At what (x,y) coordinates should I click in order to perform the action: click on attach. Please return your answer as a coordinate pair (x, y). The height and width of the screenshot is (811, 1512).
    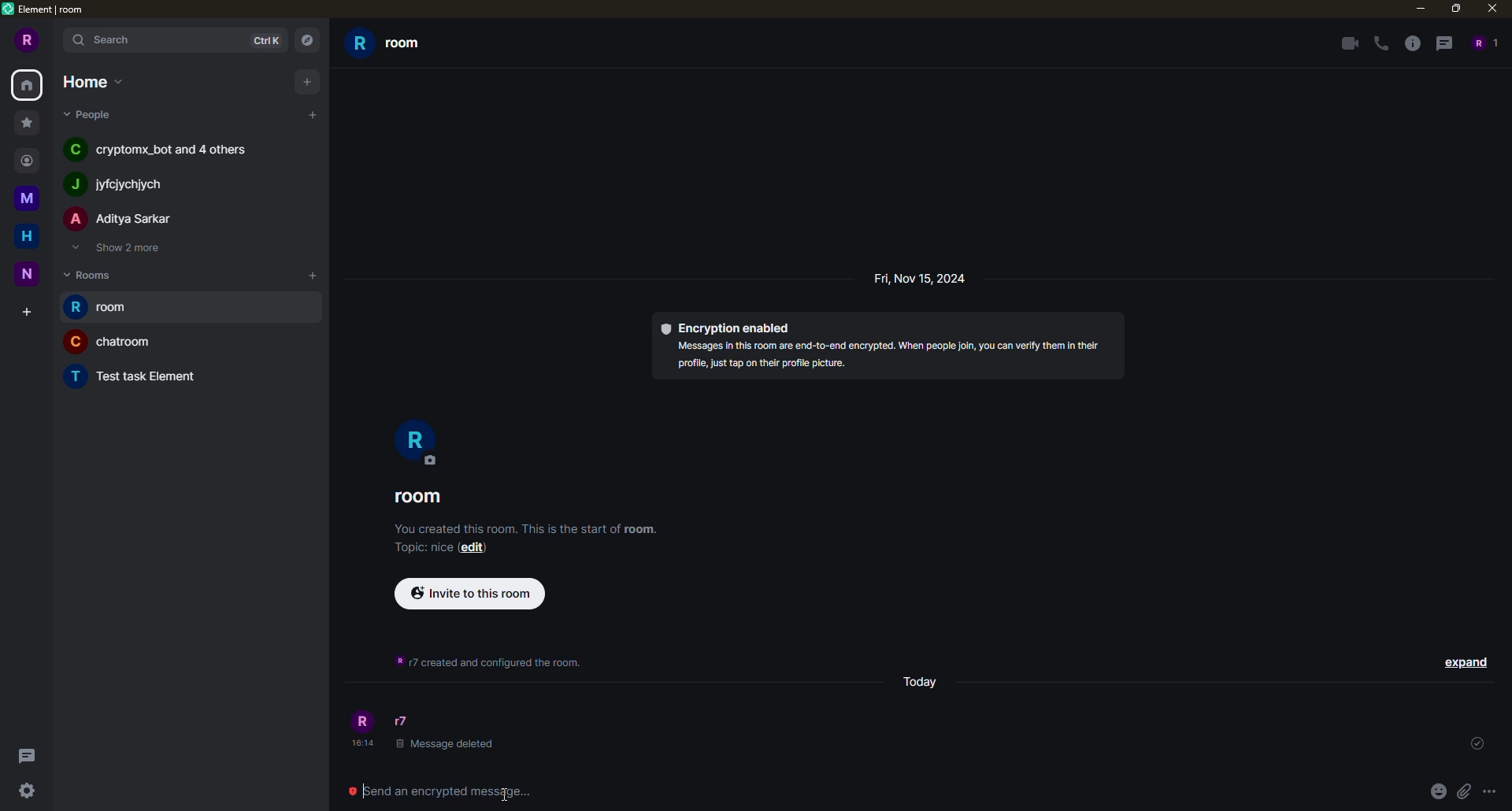
    Looking at the image, I should click on (1463, 792).